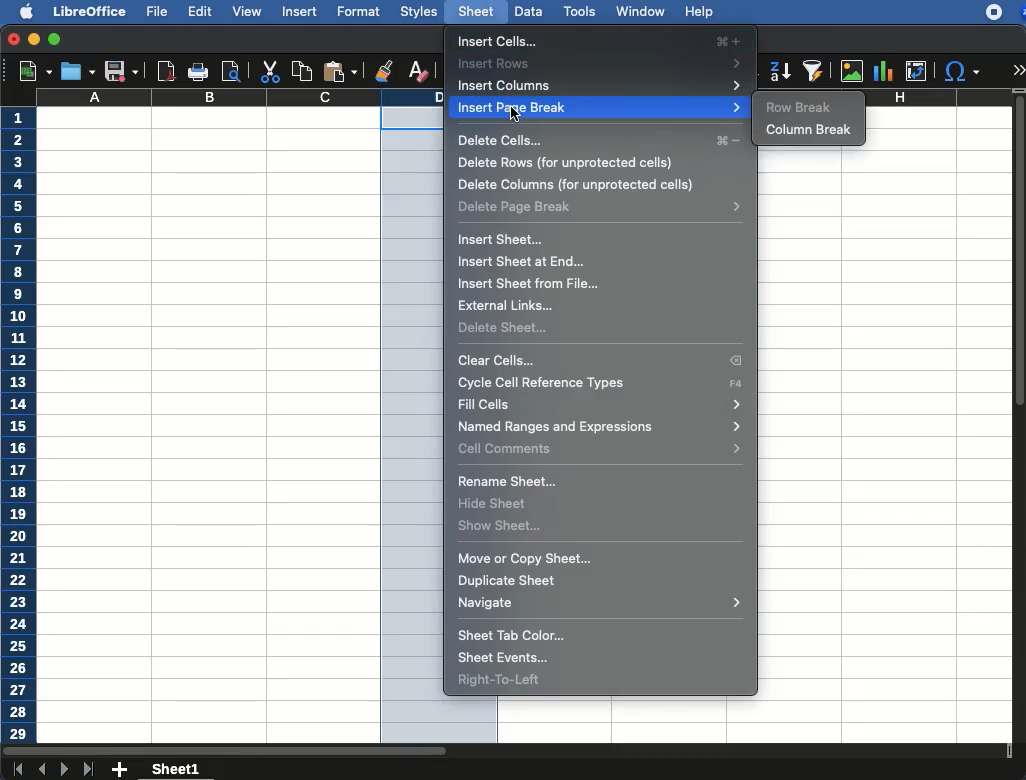 The width and height of the screenshot is (1026, 780). Describe the element at coordinates (30, 72) in the screenshot. I see `new` at that location.